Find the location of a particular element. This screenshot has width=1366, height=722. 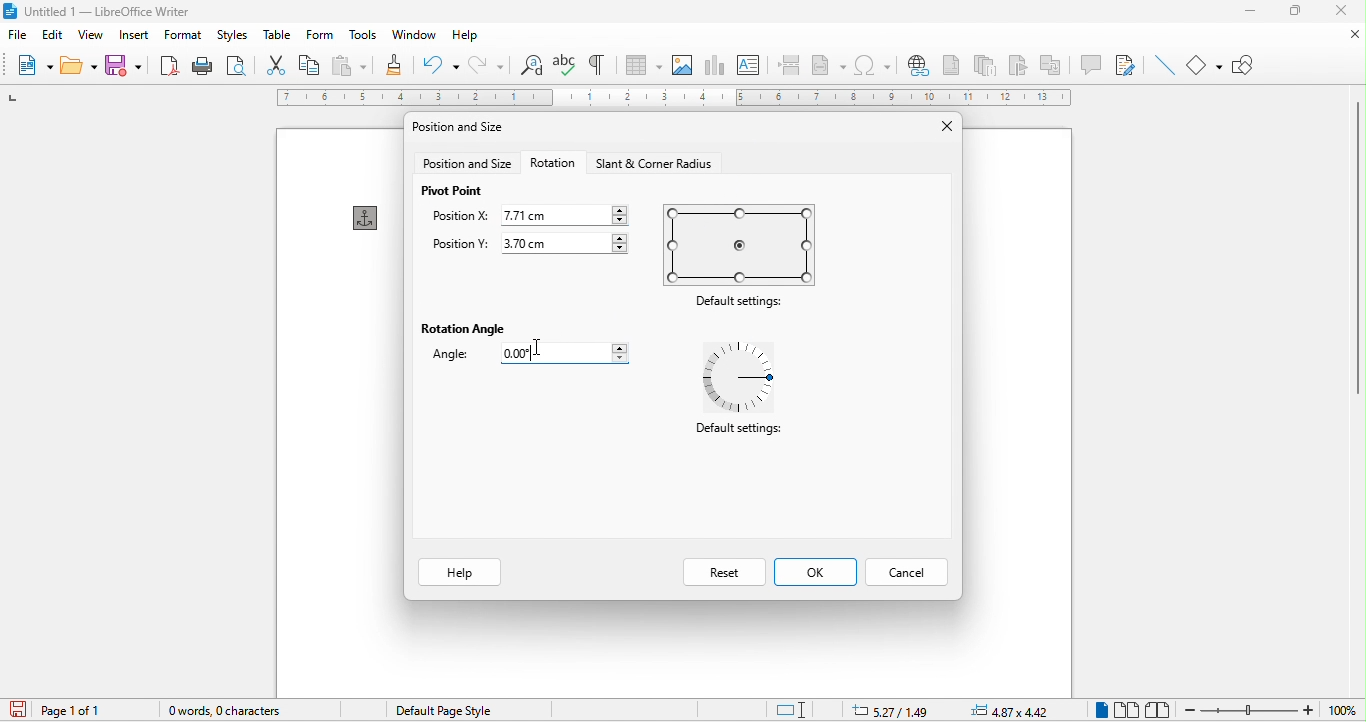

footnote is located at coordinates (950, 64).